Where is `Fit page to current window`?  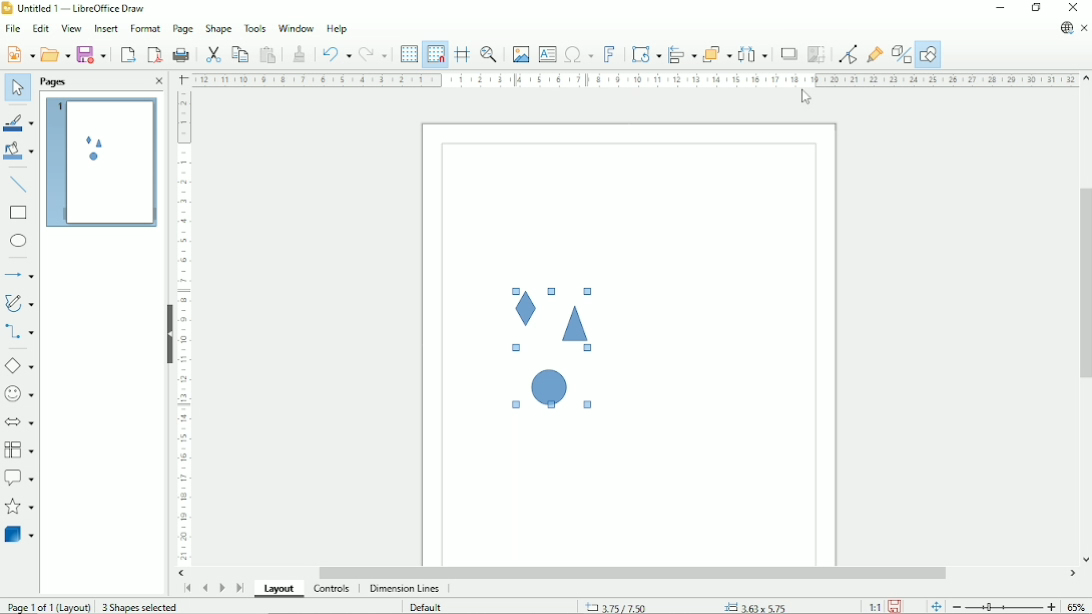 Fit page to current window is located at coordinates (934, 606).